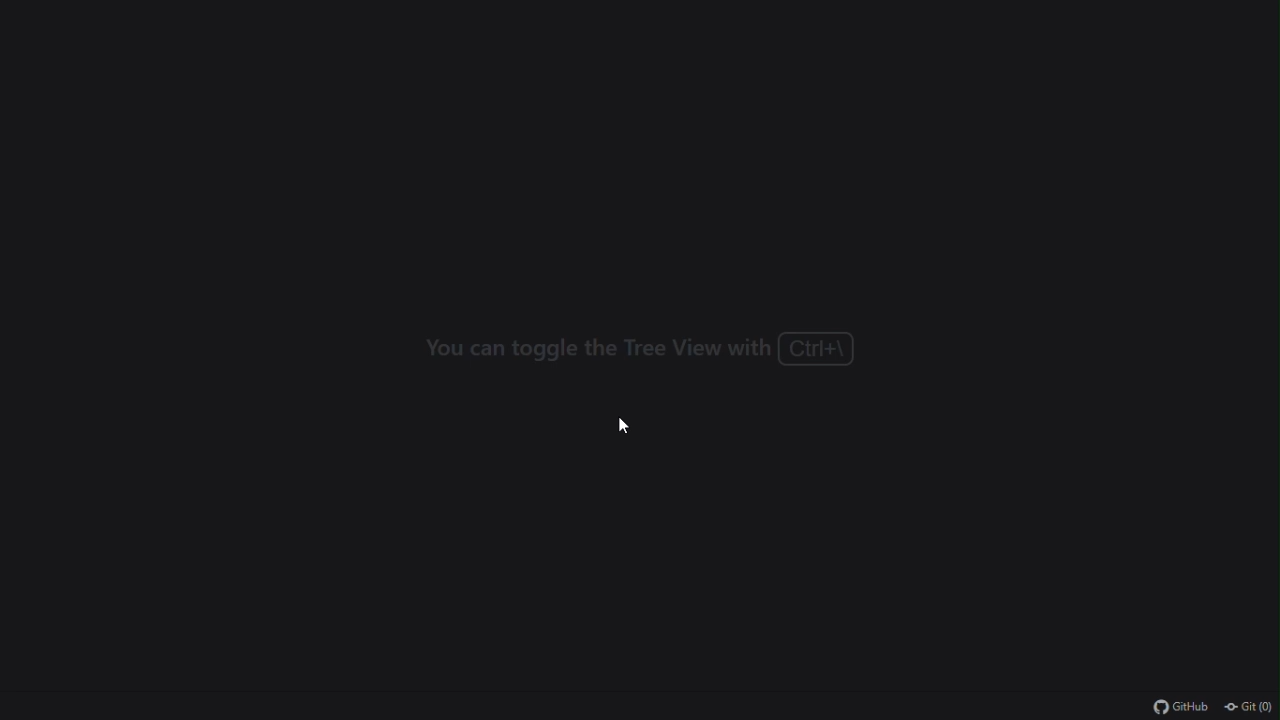 The image size is (1280, 720). What do you see at coordinates (626, 423) in the screenshot?
I see `cursor` at bounding box center [626, 423].